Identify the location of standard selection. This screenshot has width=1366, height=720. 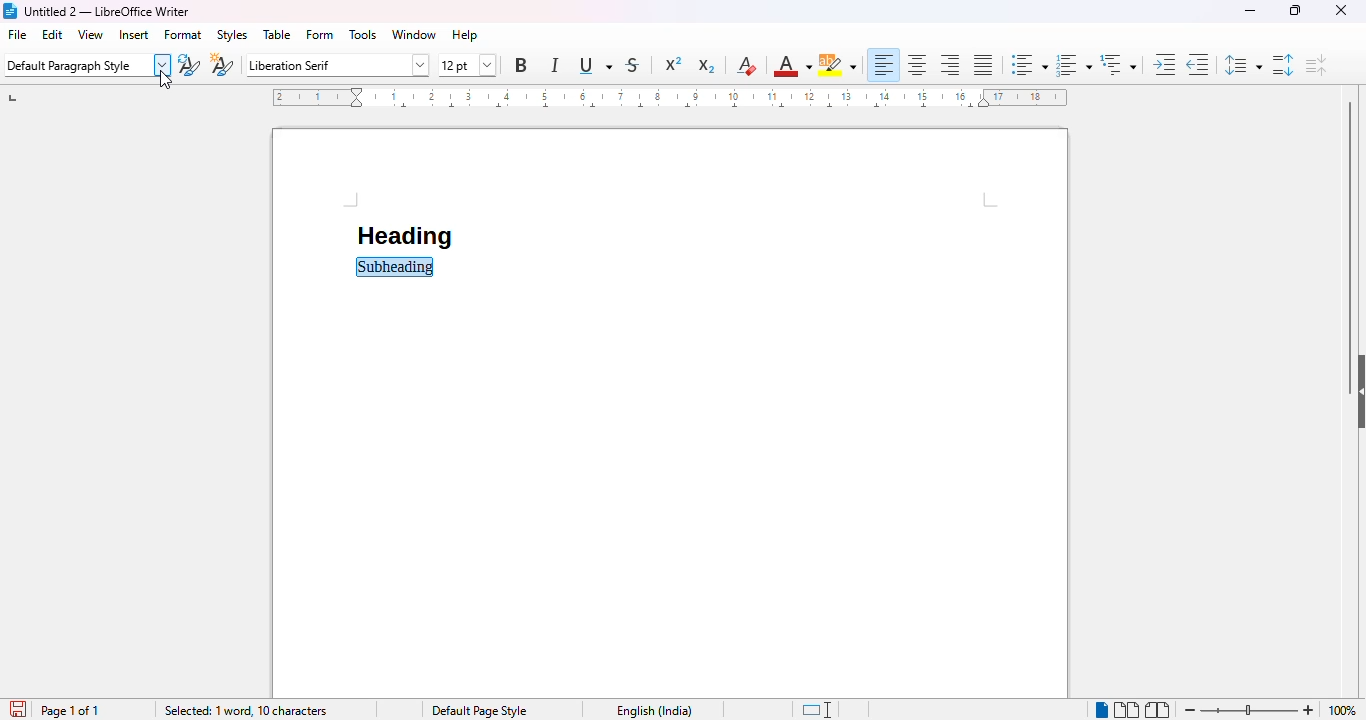
(817, 710).